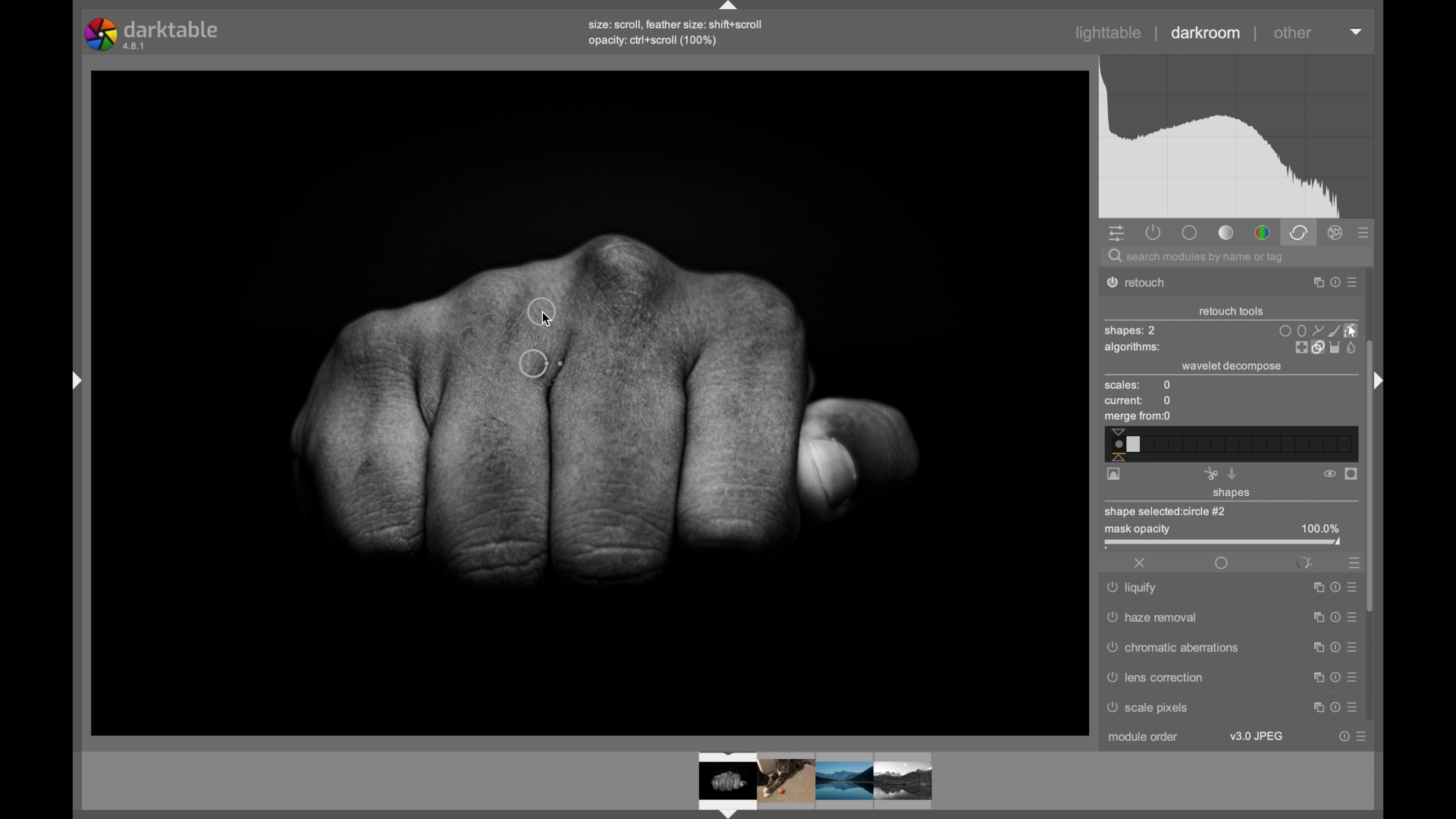 This screenshot has width=1456, height=819. I want to click on lighttable, so click(1109, 33).